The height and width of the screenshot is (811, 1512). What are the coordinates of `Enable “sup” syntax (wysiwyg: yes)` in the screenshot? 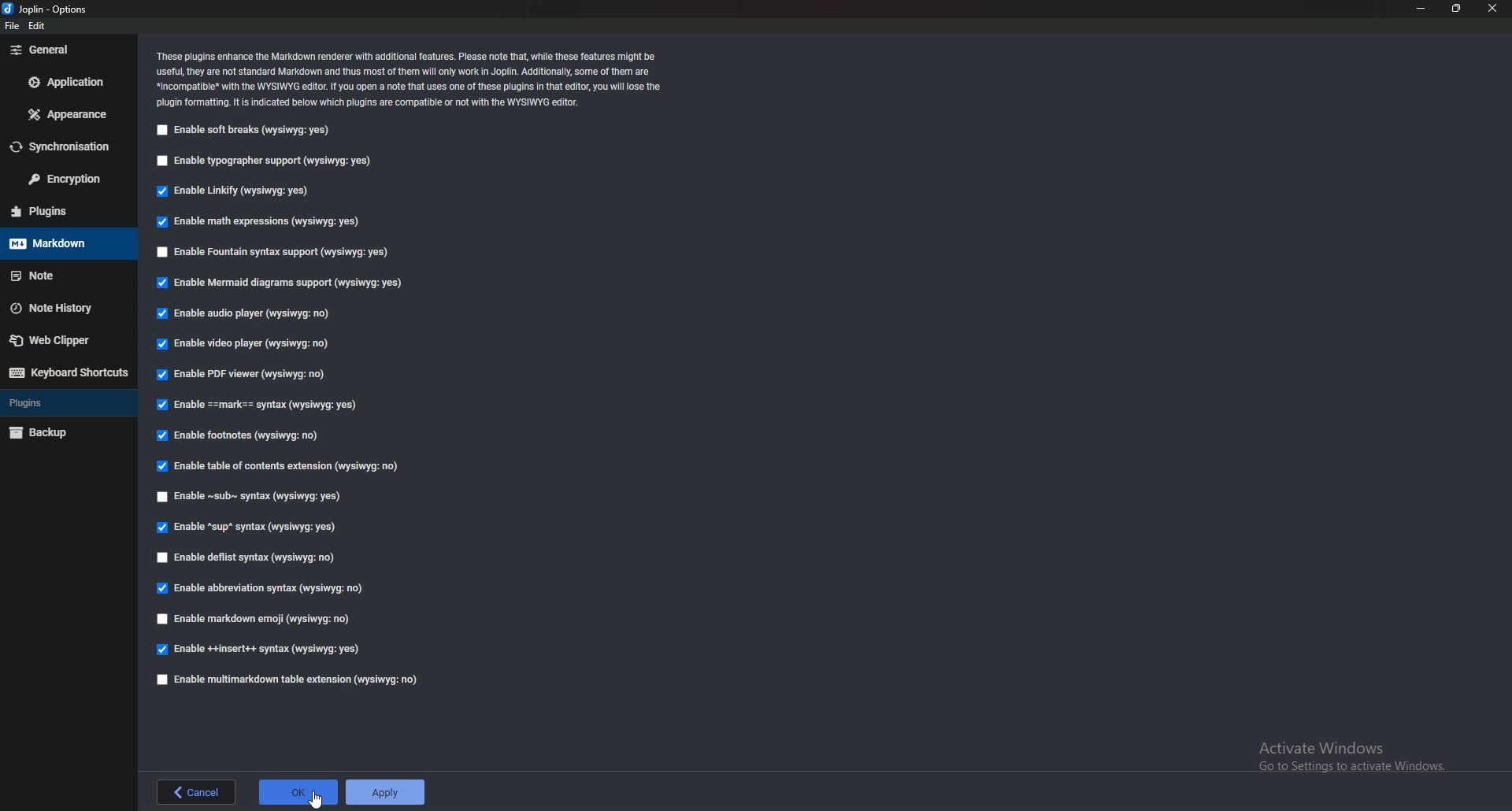 It's located at (247, 527).